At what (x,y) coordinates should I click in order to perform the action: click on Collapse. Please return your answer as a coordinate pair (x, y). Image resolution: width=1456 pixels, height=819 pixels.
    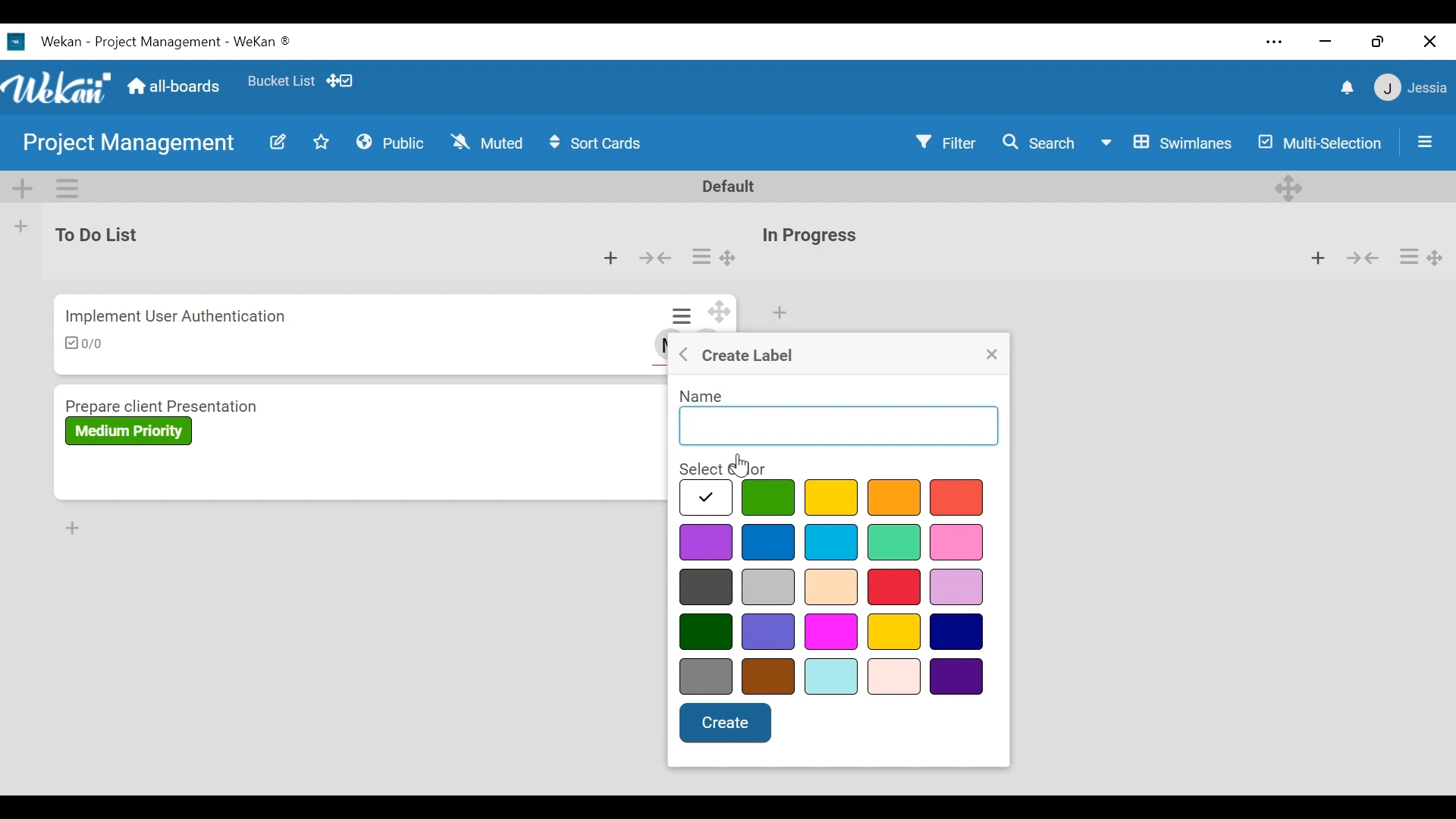
    Looking at the image, I should click on (654, 259).